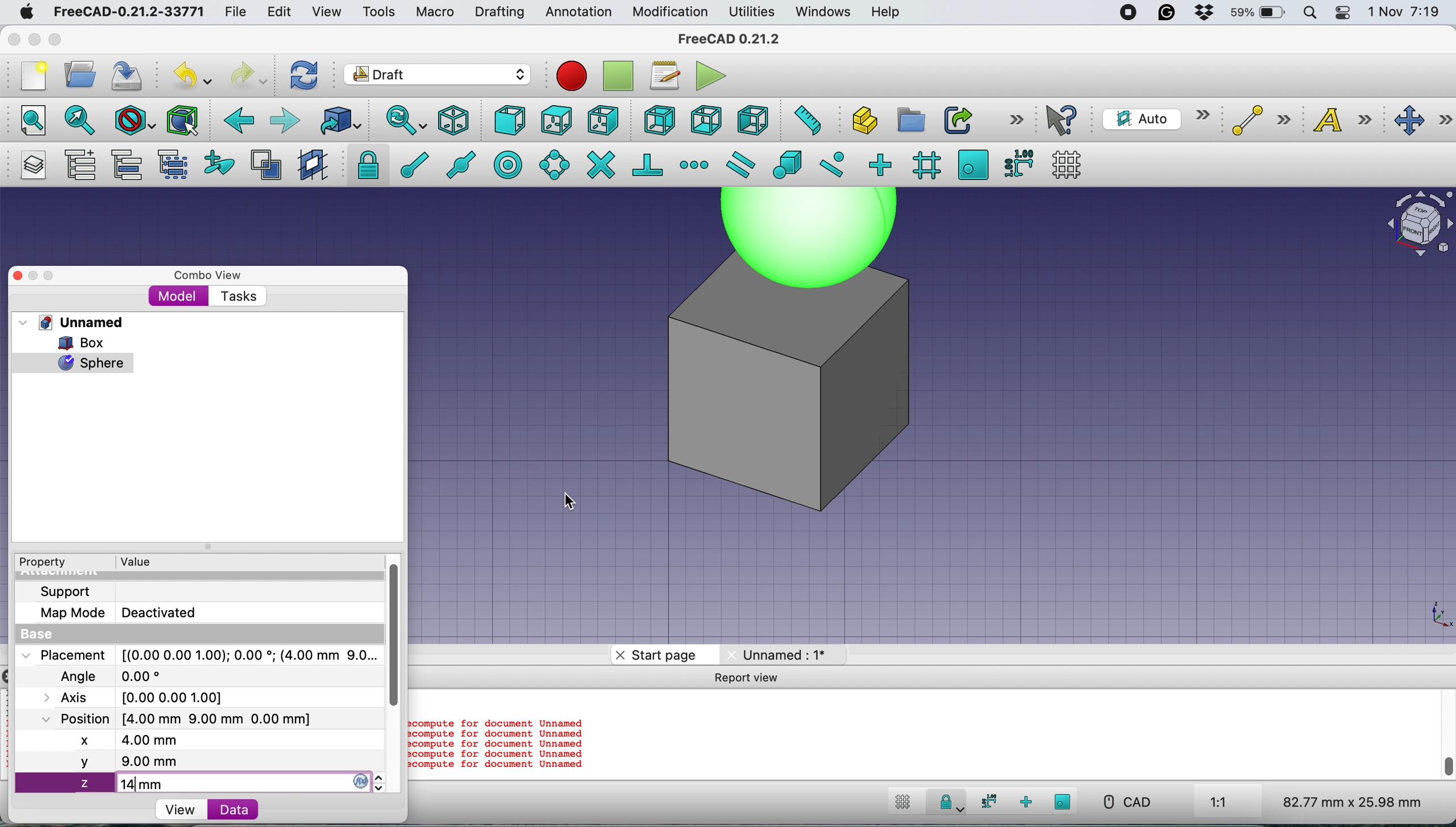 This screenshot has height=827, width=1456. I want to click on spotlight search, so click(1308, 14).